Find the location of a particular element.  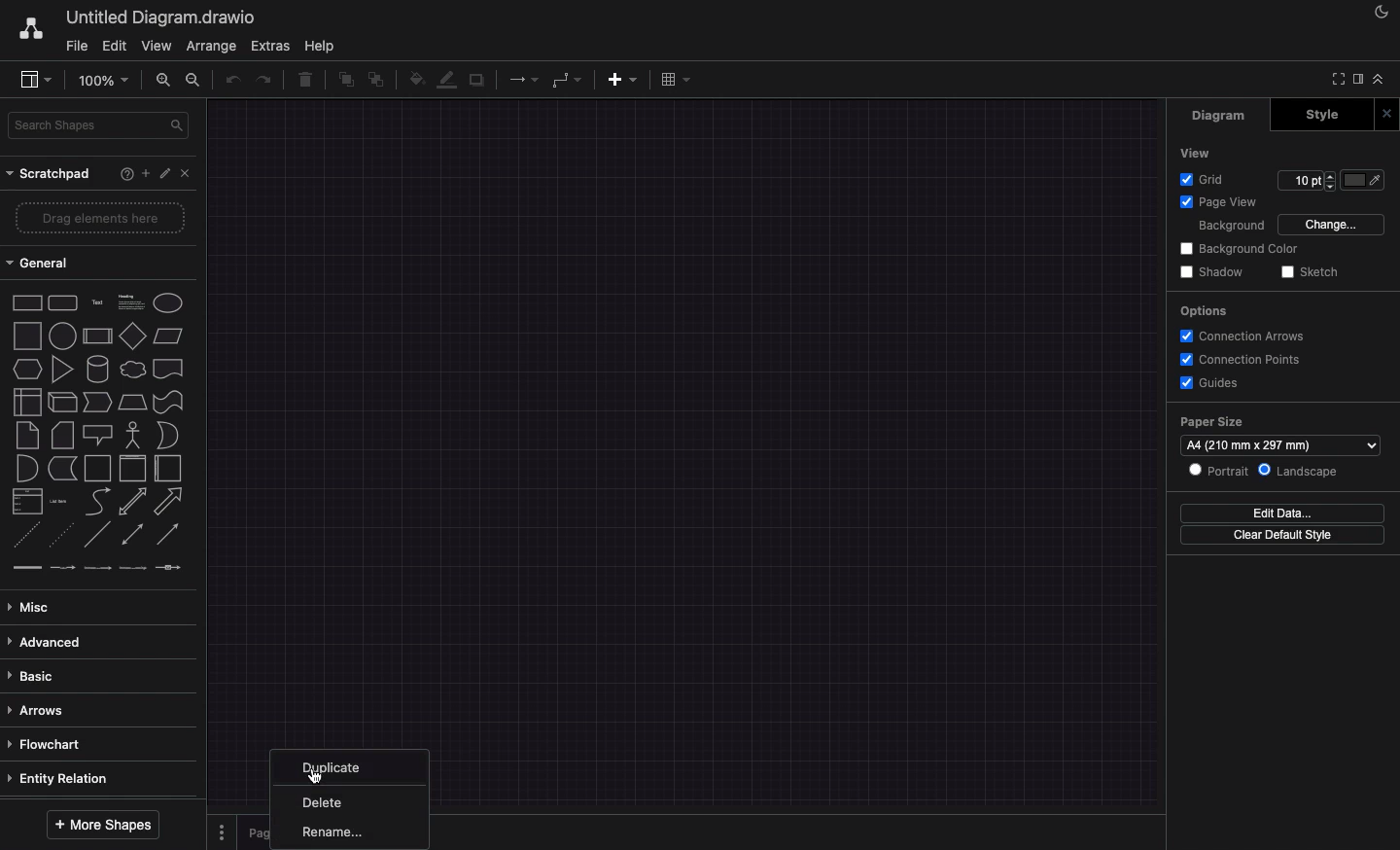

line color is located at coordinates (447, 79).